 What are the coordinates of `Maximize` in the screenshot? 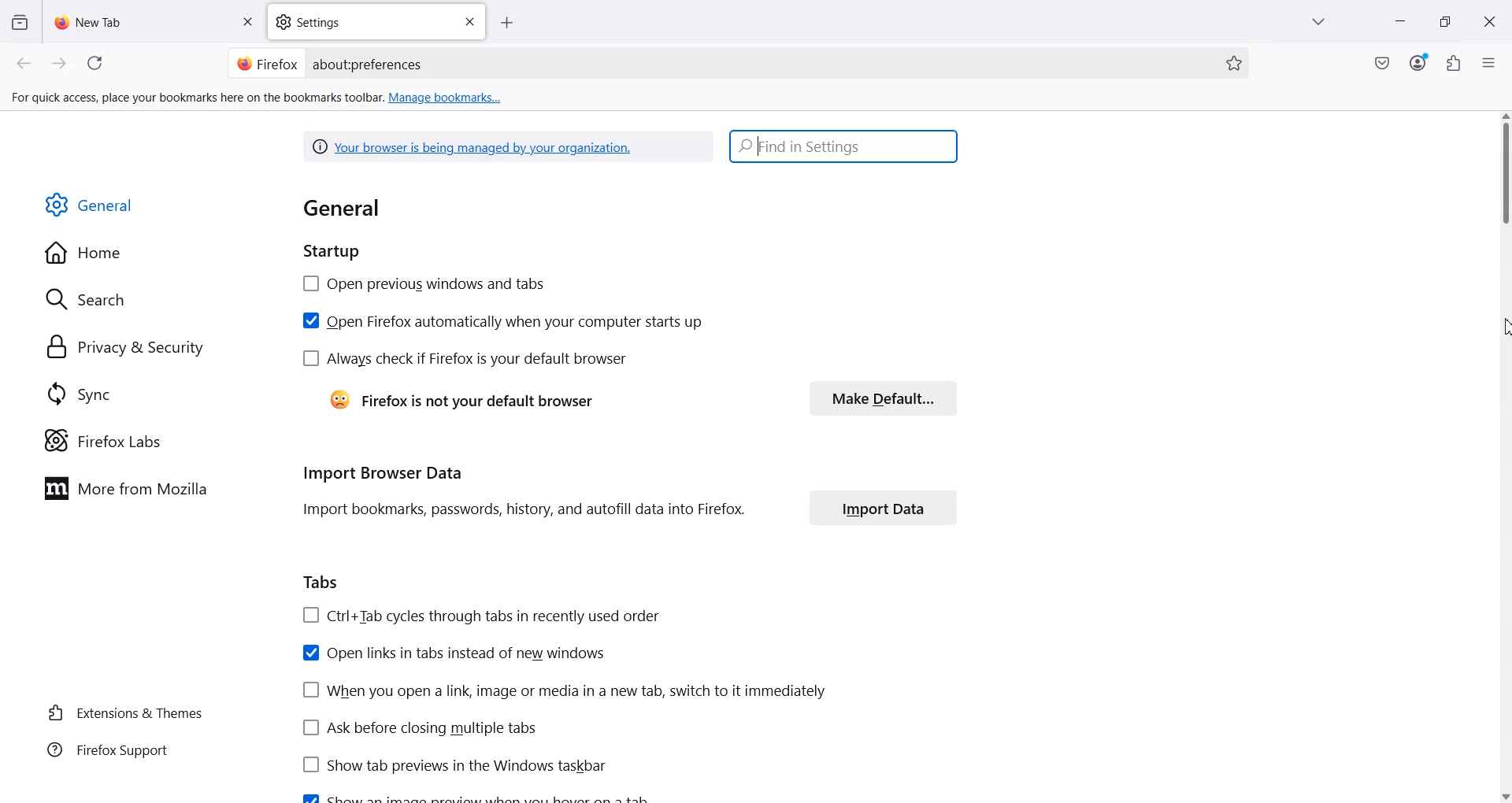 It's located at (1445, 22).